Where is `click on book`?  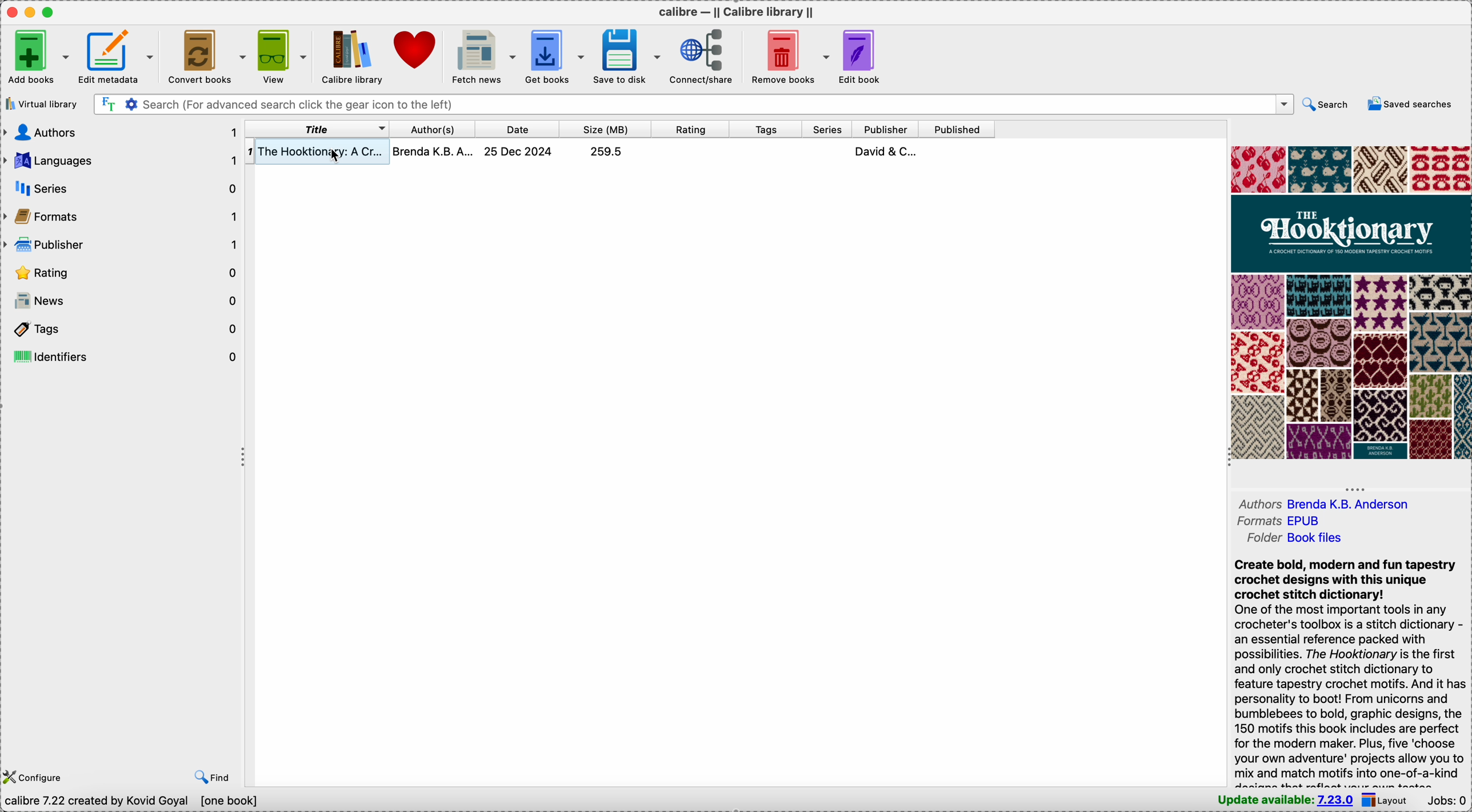
click on book is located at coordinates (620, 154).